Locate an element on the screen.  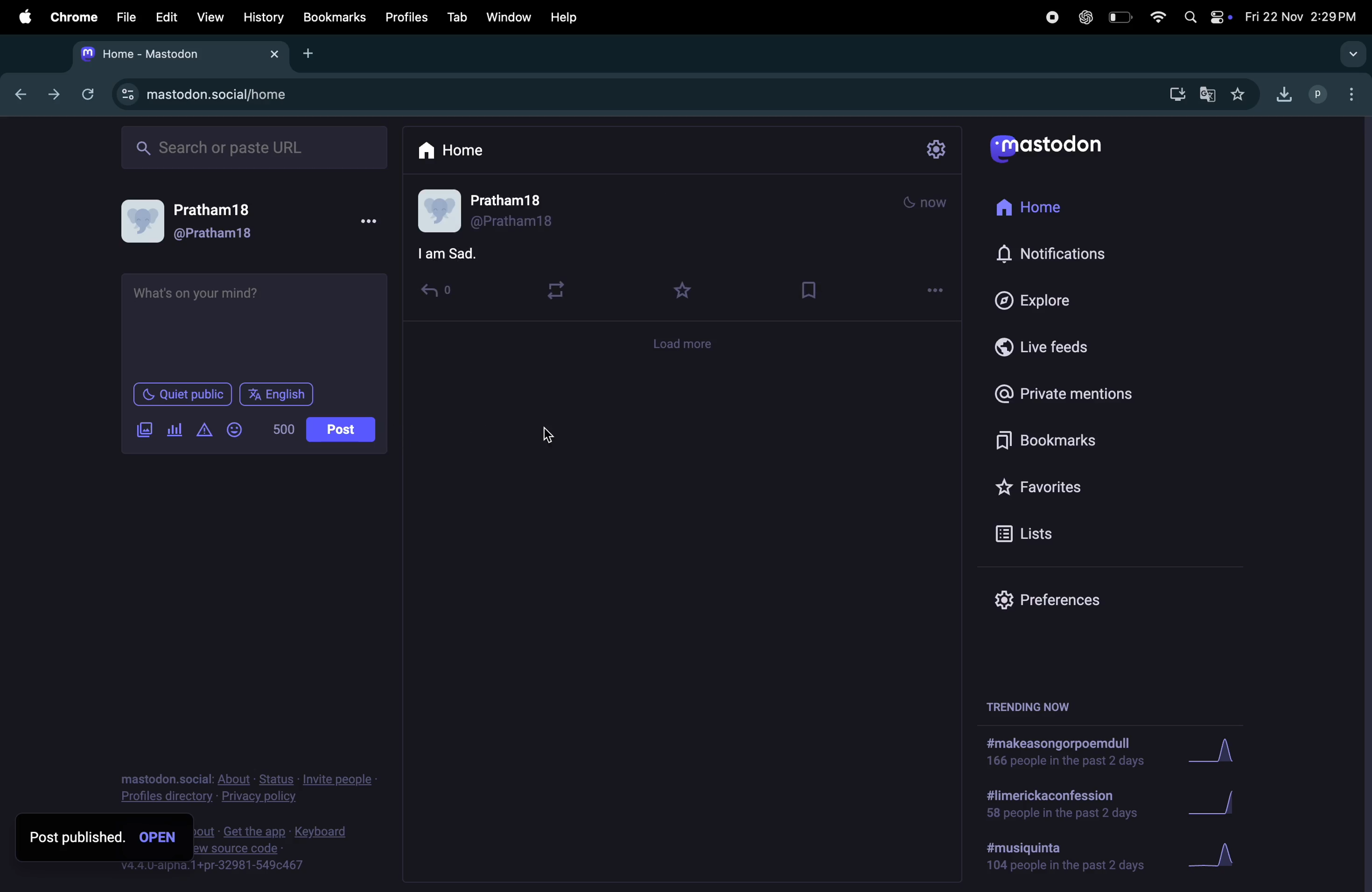
search bar is located at coordinates (251, 145).